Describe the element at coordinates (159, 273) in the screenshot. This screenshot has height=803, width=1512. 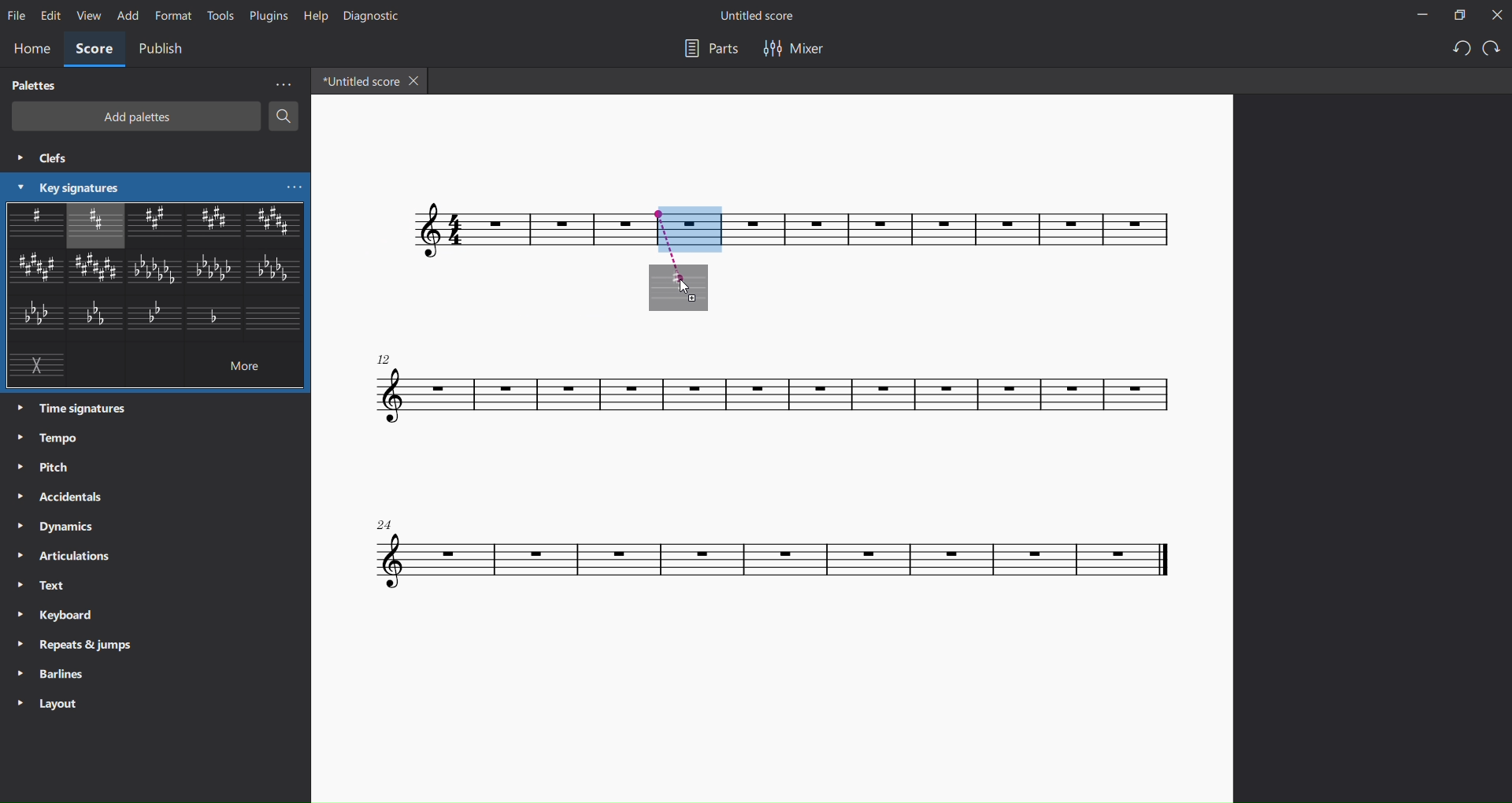
I see `other key signatures` at that location.